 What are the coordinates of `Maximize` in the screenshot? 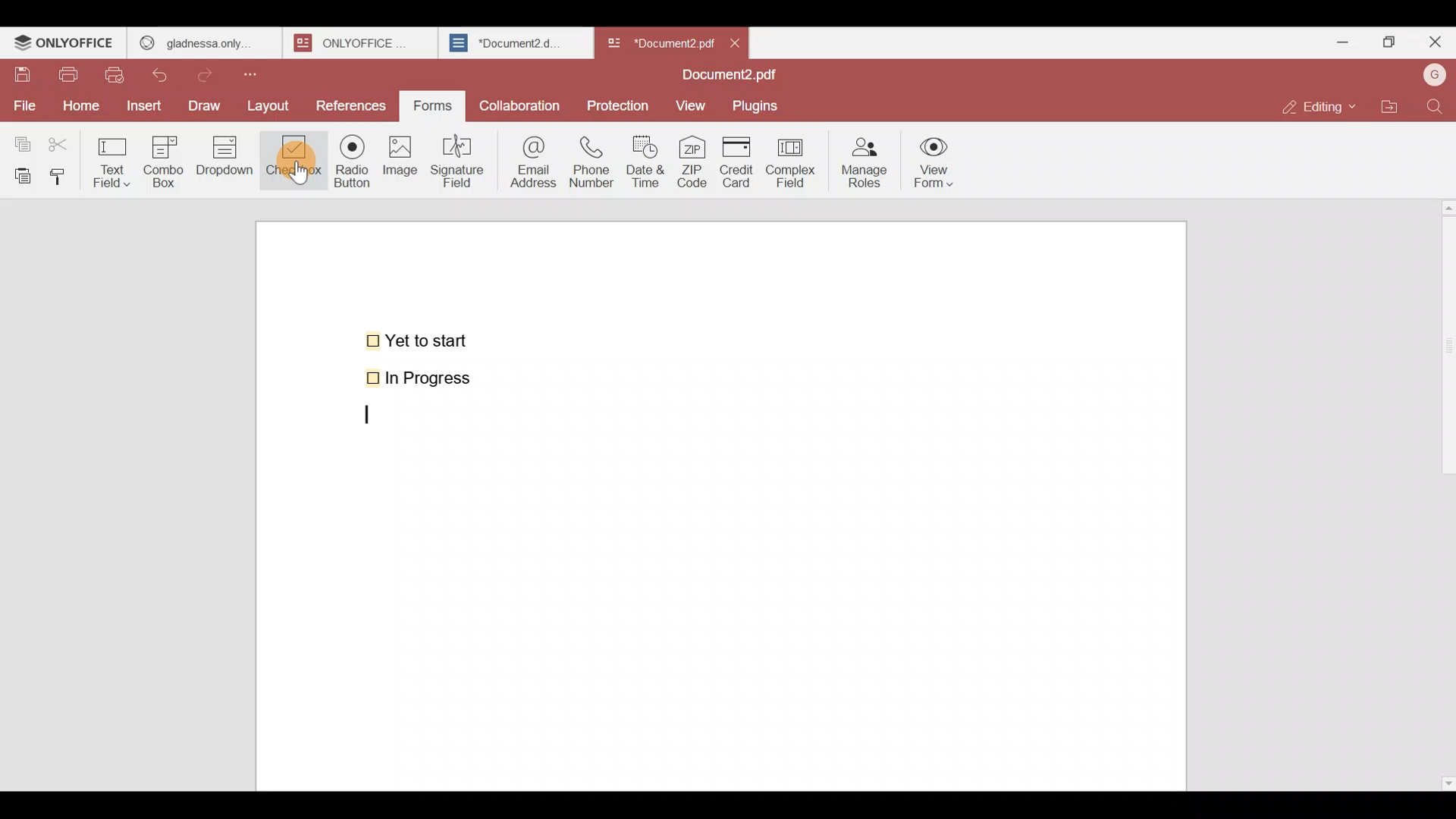 It's located at (1386, 41).